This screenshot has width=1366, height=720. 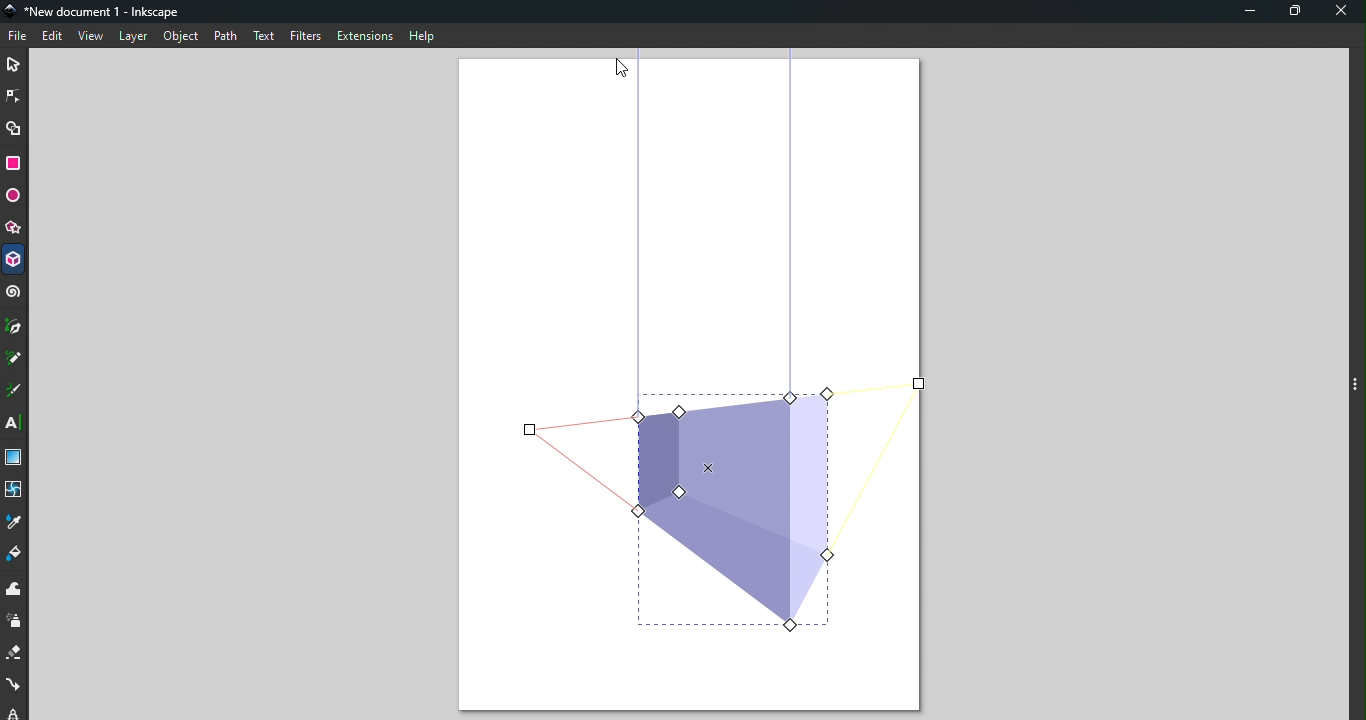 I want to click on Object, so click(x=701, y=502).